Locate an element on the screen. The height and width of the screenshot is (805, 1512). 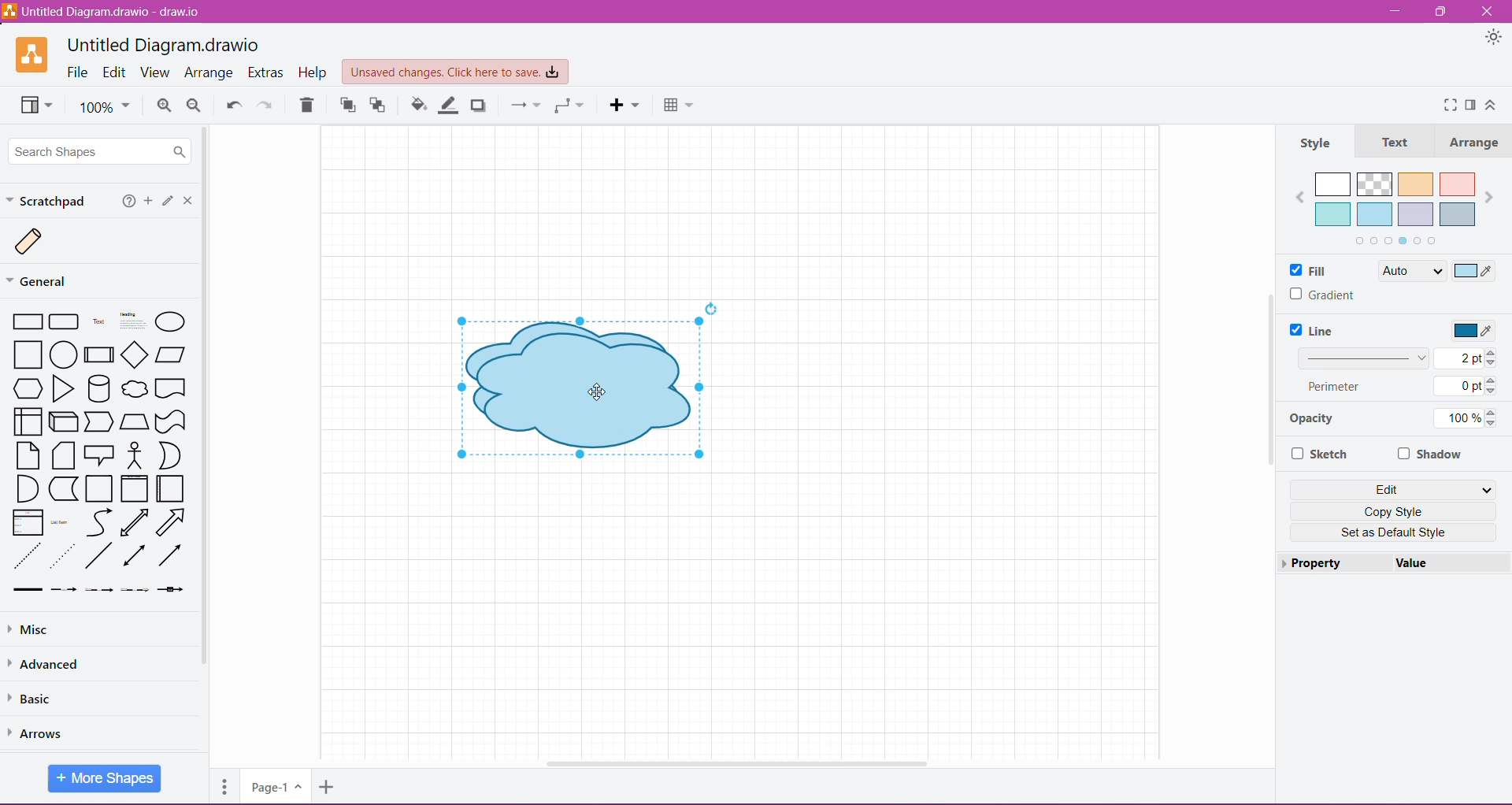
Unsaved Changes. Click here to save is located at coordinates (454, 72).